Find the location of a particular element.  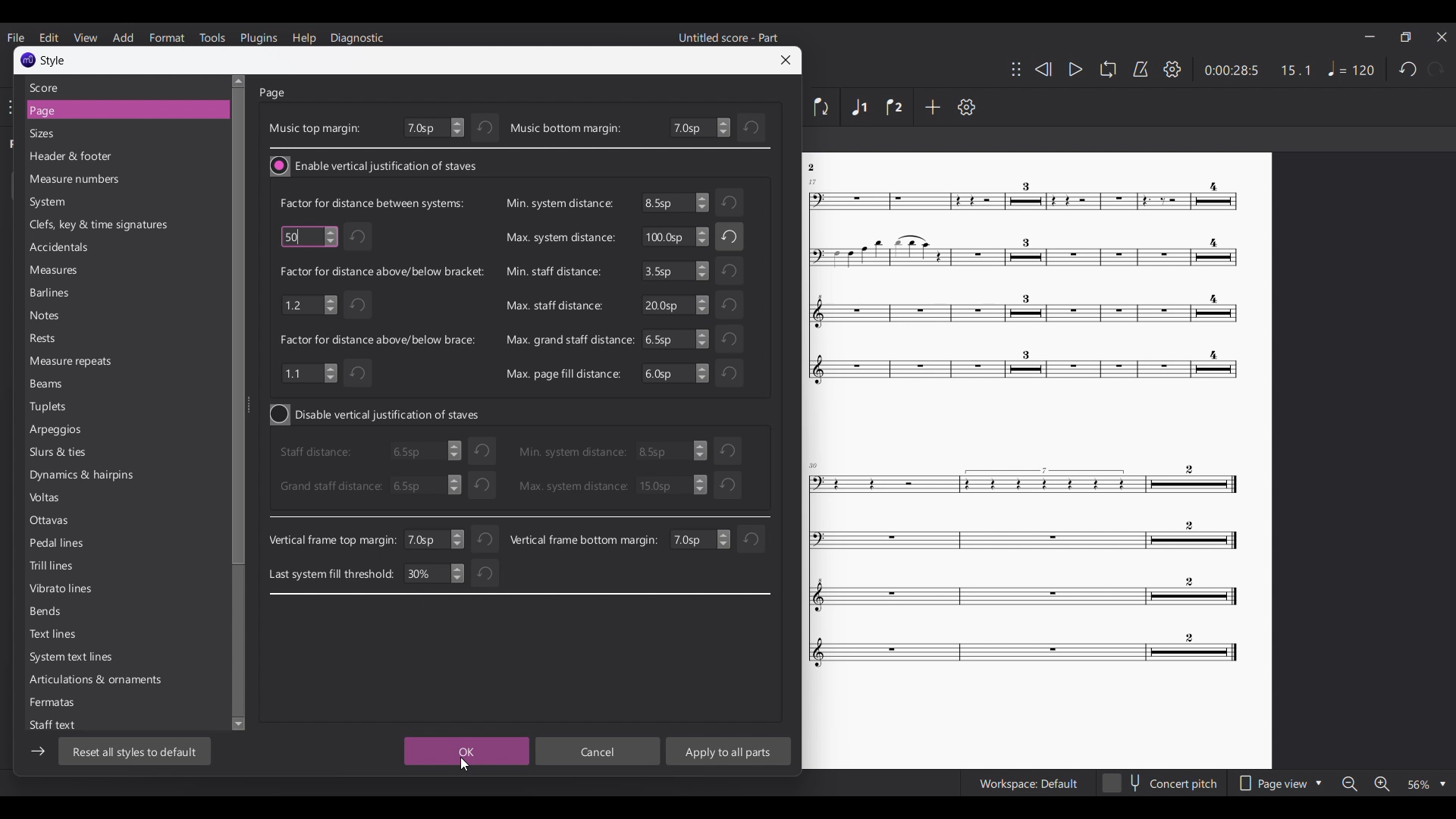

format is located at coordinates (168, 37).